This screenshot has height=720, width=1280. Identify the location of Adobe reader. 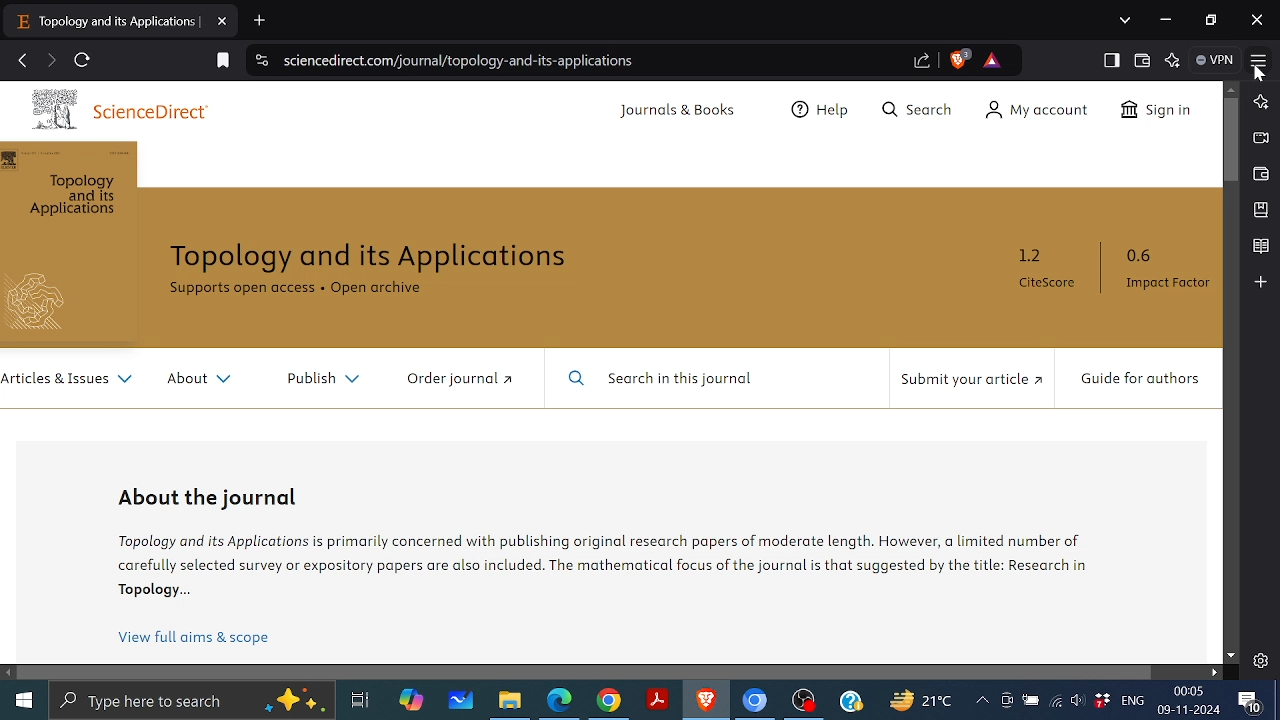
(656, 700).